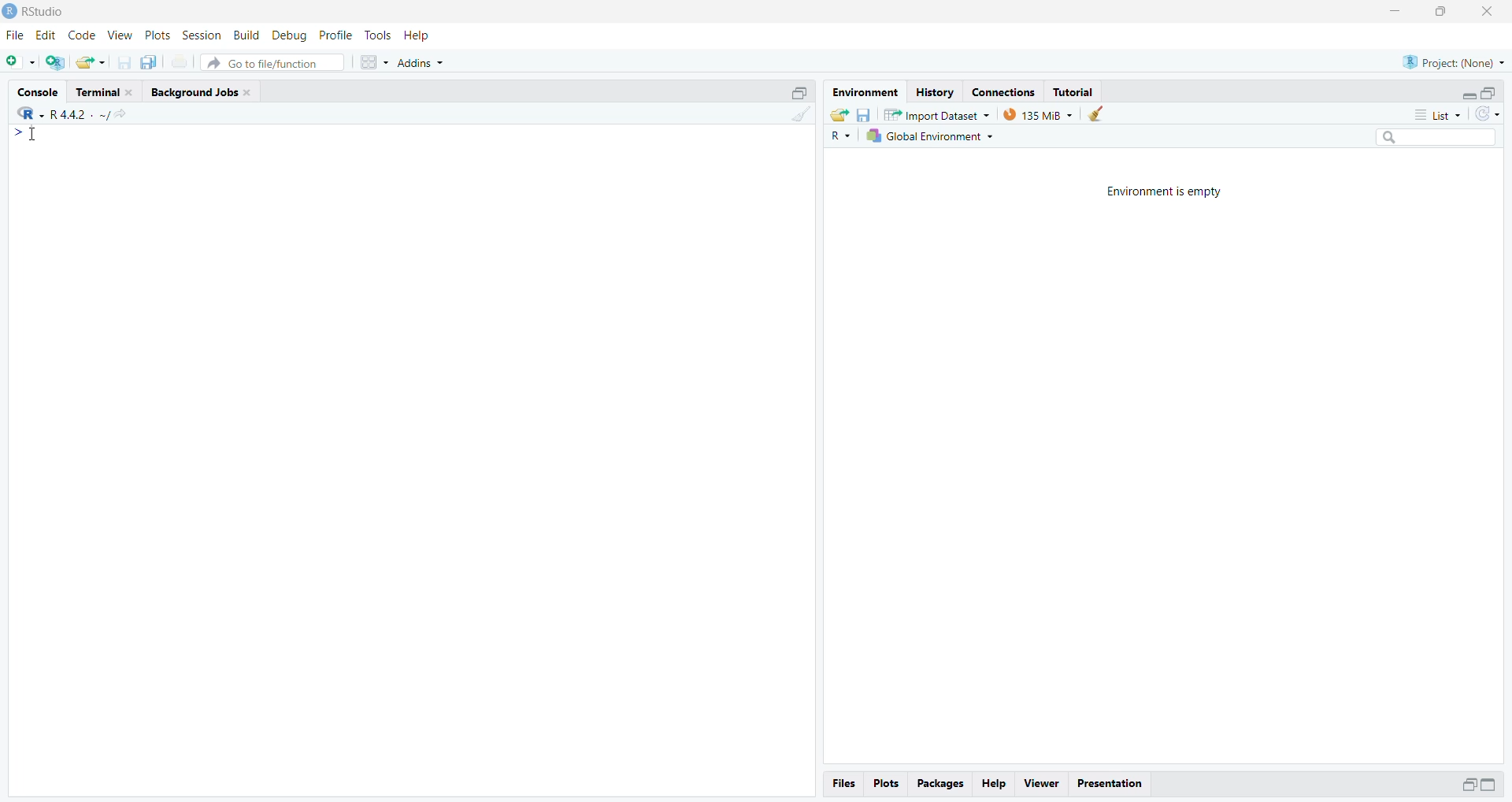 This screenshot has width=1512, height=802. Describe the element at coordinates (17, 35) in the screenshot. I see `File` at that location.